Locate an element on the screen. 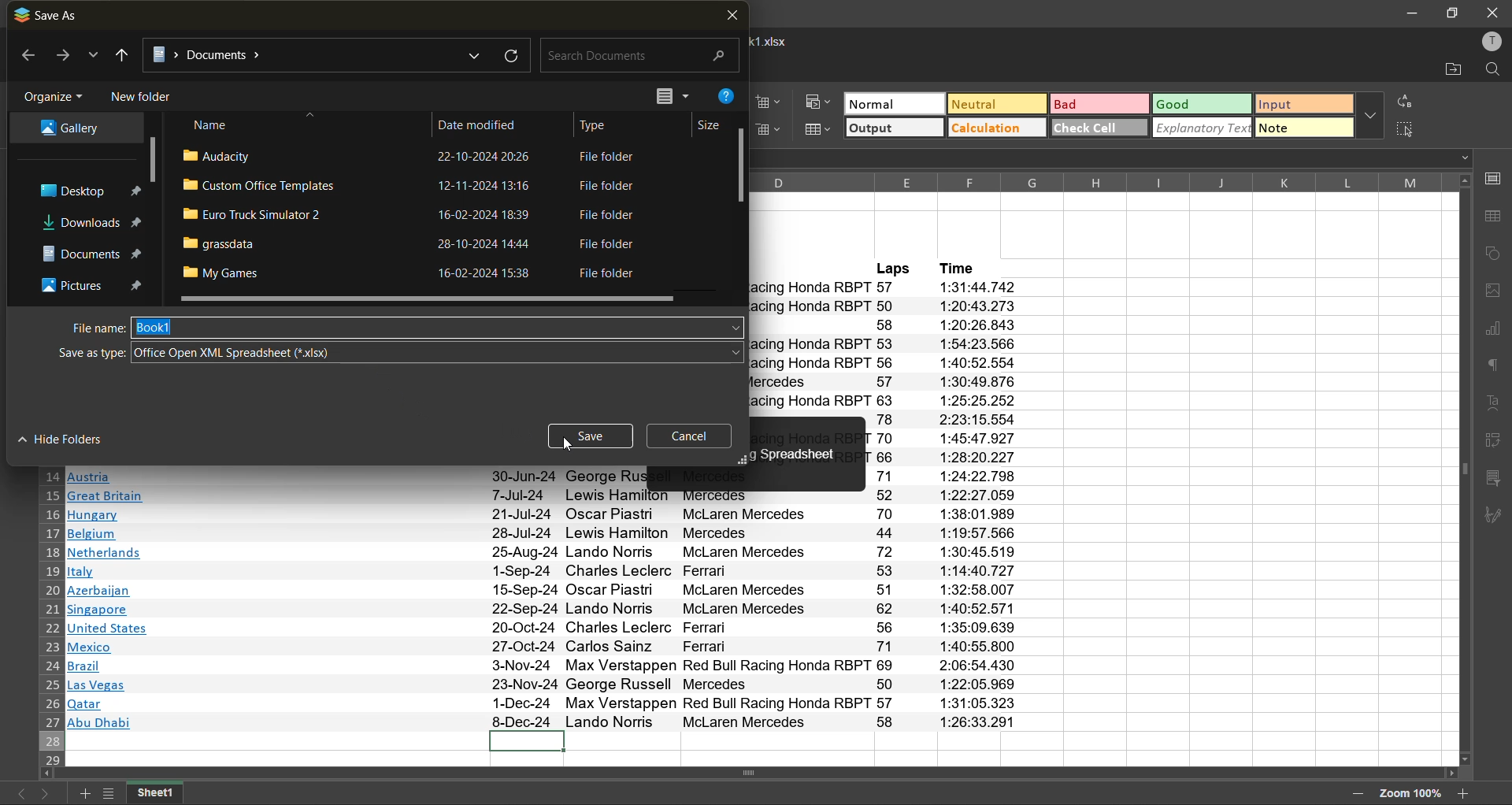  organize is located at coordinates (57, 95).